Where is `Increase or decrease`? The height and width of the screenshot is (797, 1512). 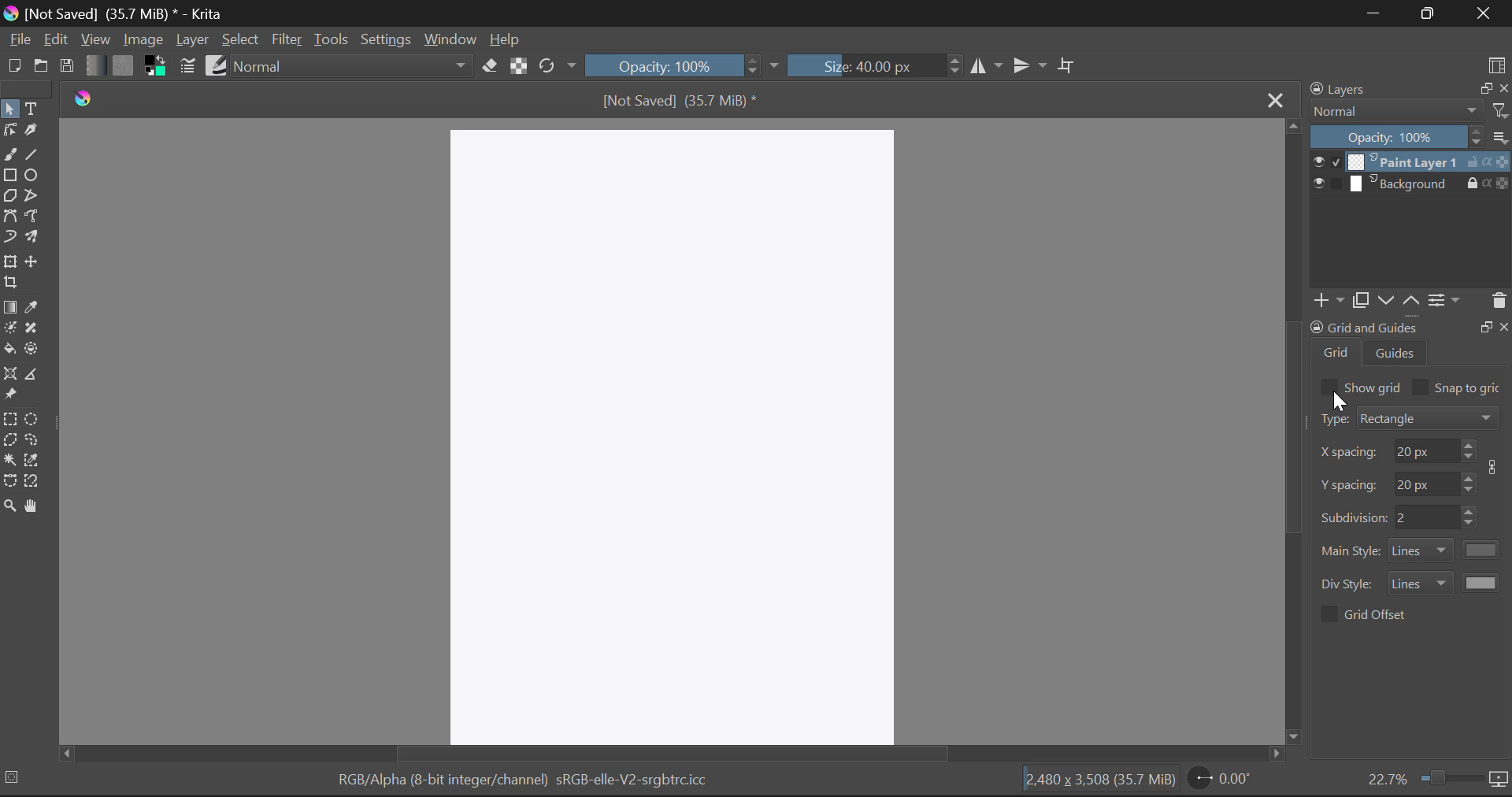
Increase or decrease is located at coordinates (1469, 450).